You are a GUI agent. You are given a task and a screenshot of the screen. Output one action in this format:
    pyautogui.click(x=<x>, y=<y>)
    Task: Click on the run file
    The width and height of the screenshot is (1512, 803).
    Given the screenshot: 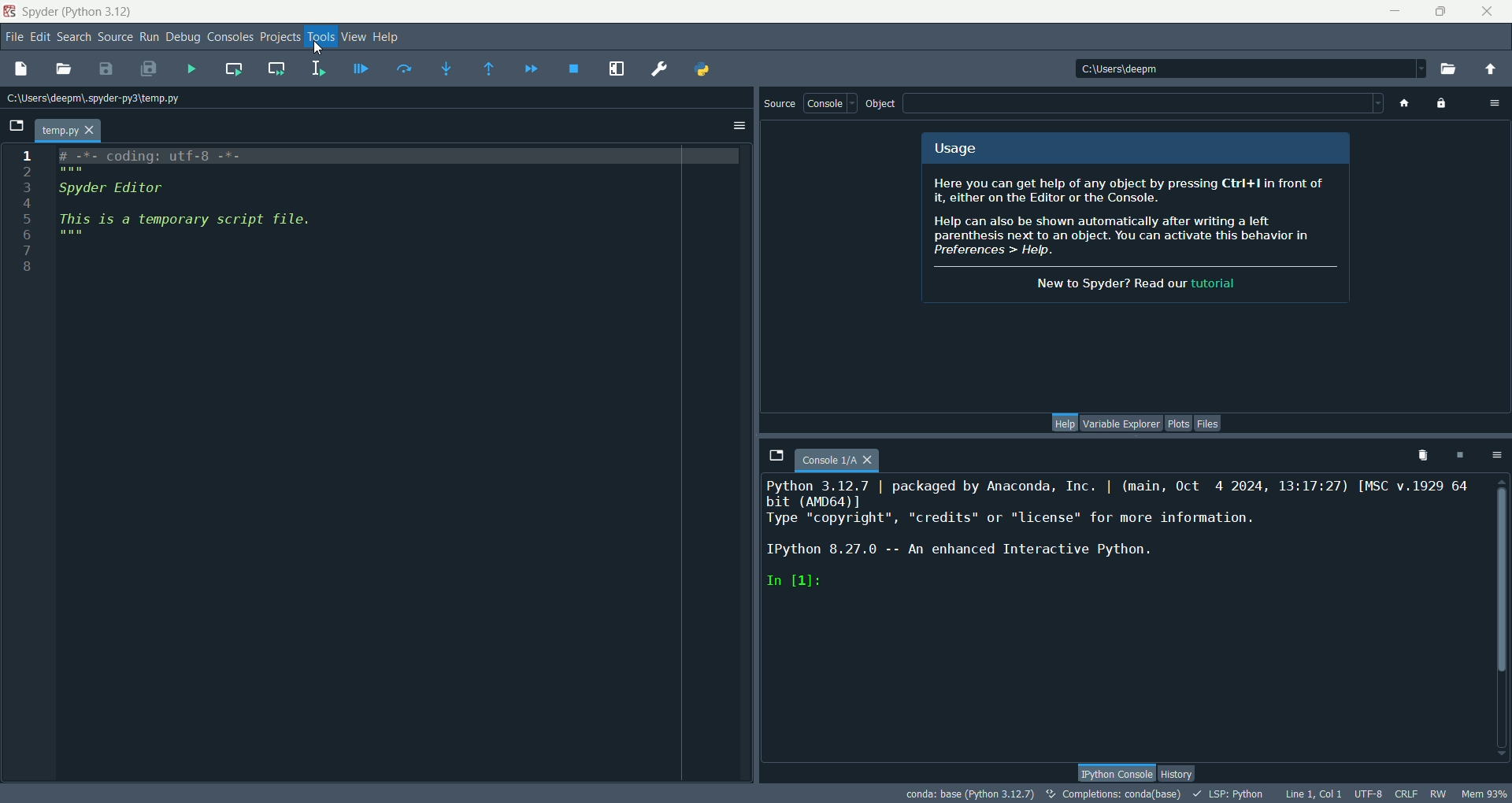 What is the action you would take?
    pyautogui.click(x=191, y=68)
    